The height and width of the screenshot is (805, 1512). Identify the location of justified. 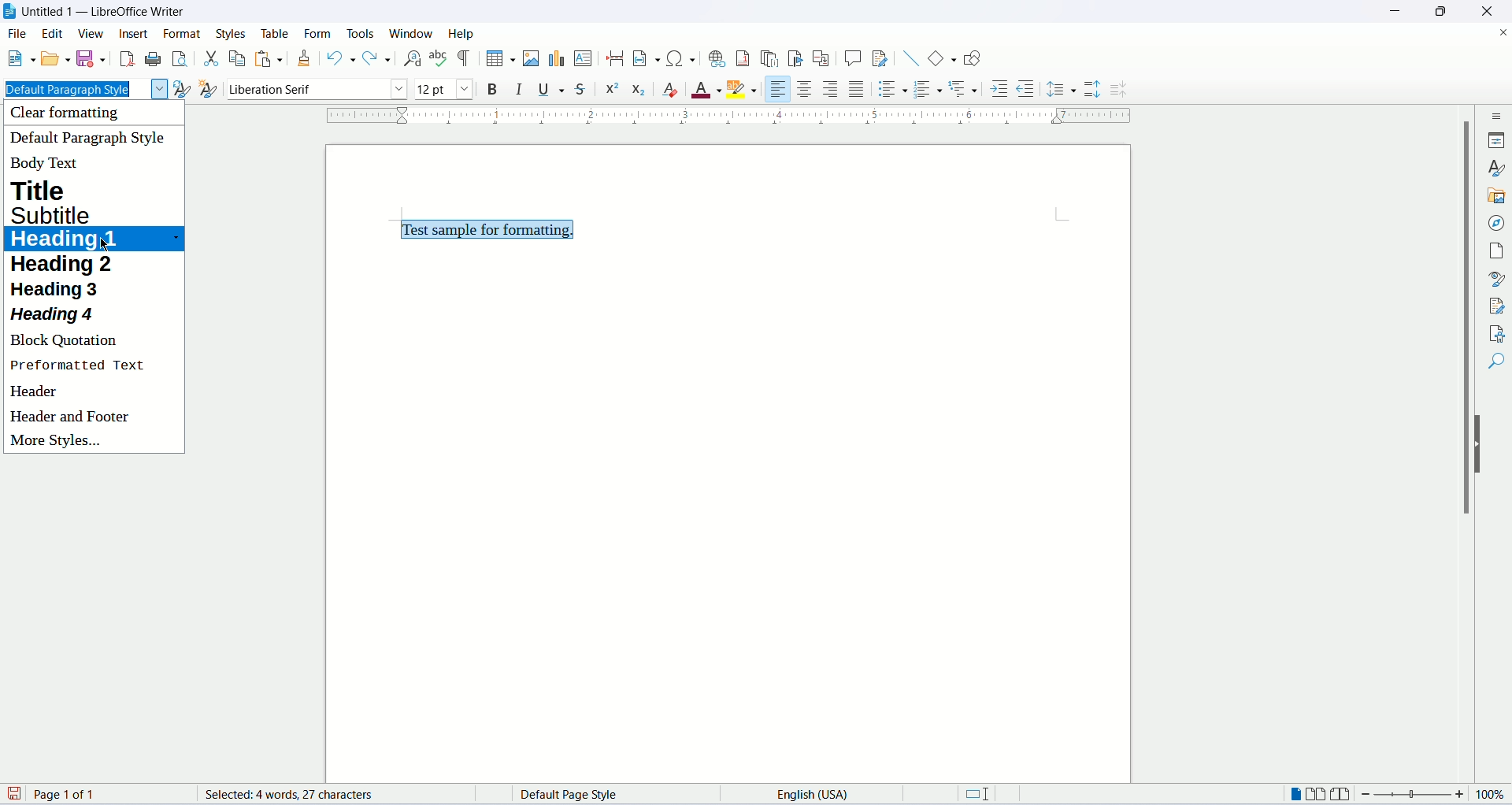
(858, 88).